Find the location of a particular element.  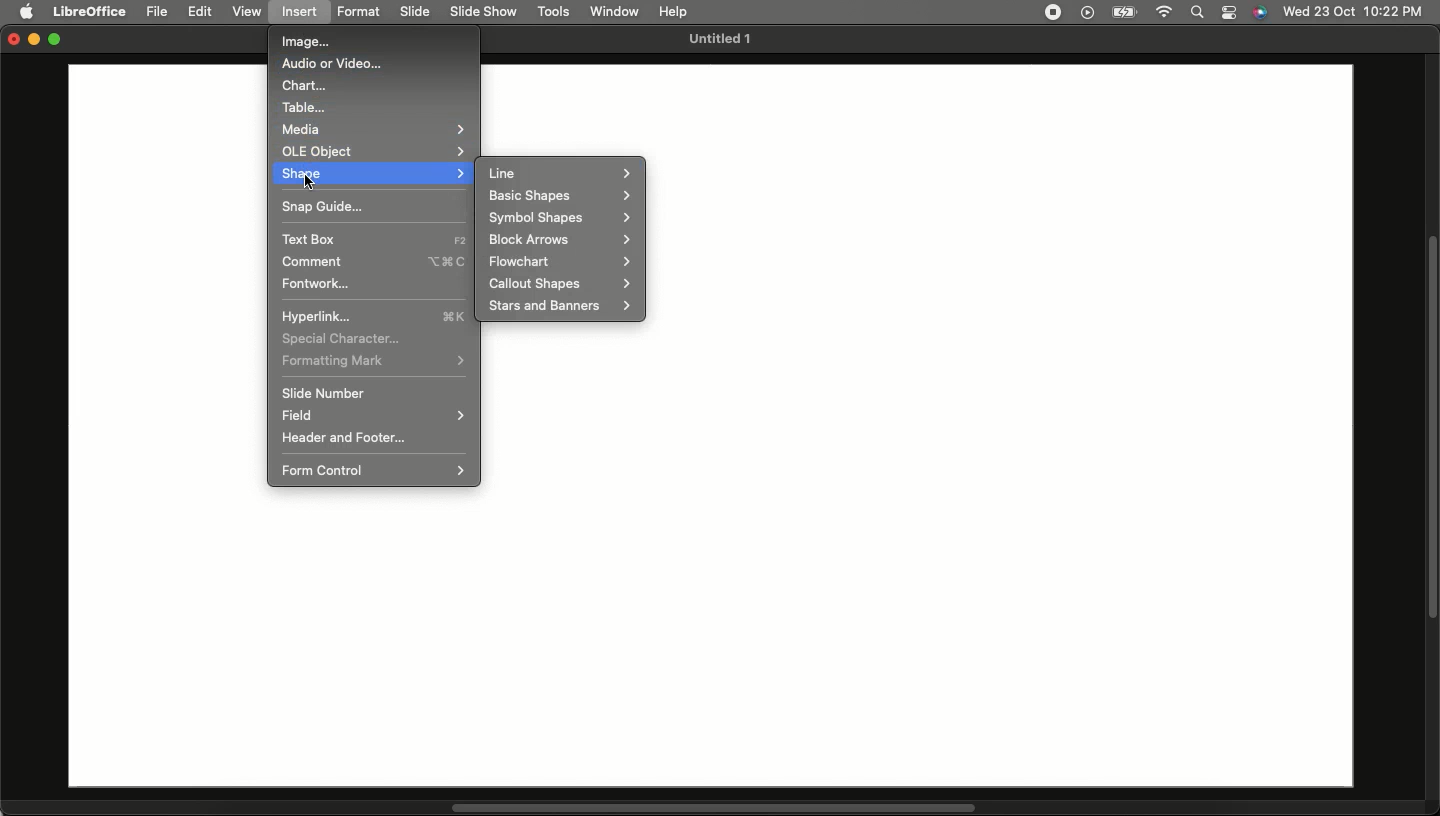

Date/time is located at coordinates (1353, 11).